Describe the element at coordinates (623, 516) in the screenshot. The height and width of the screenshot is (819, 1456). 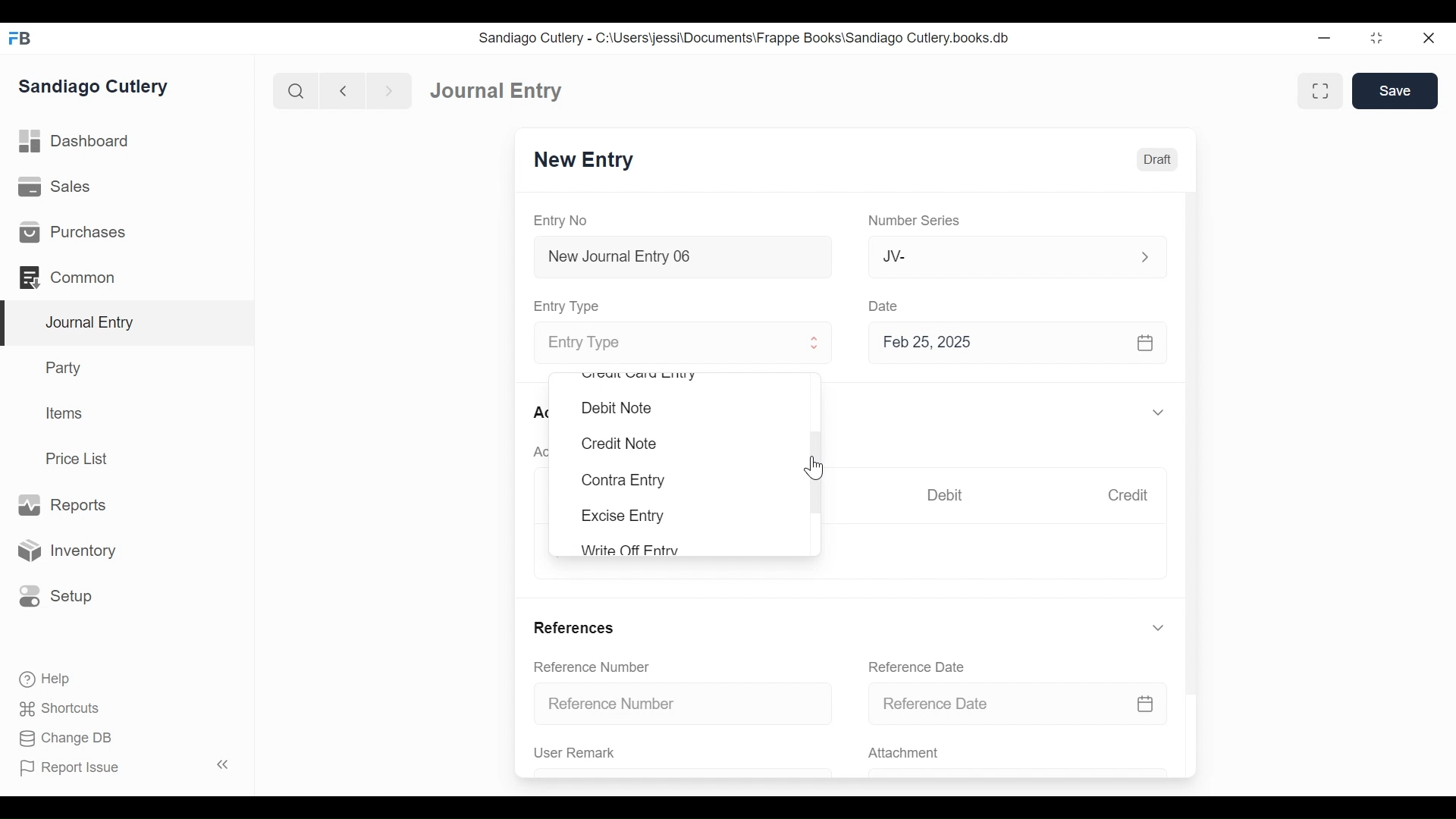
I see `Excise Entry` at that location.